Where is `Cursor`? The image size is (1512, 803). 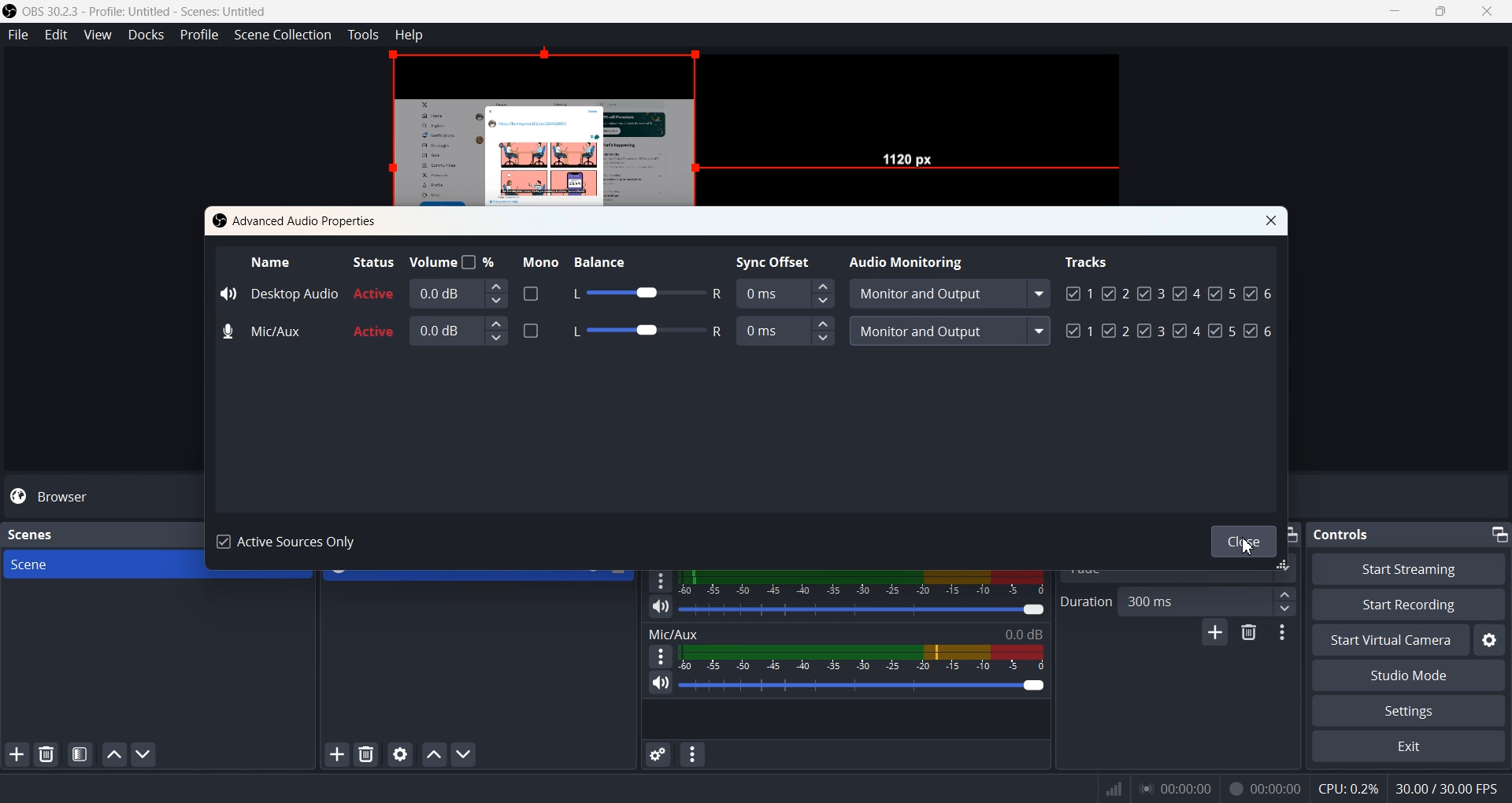
Cursor is located at coordinates (1247, 546).